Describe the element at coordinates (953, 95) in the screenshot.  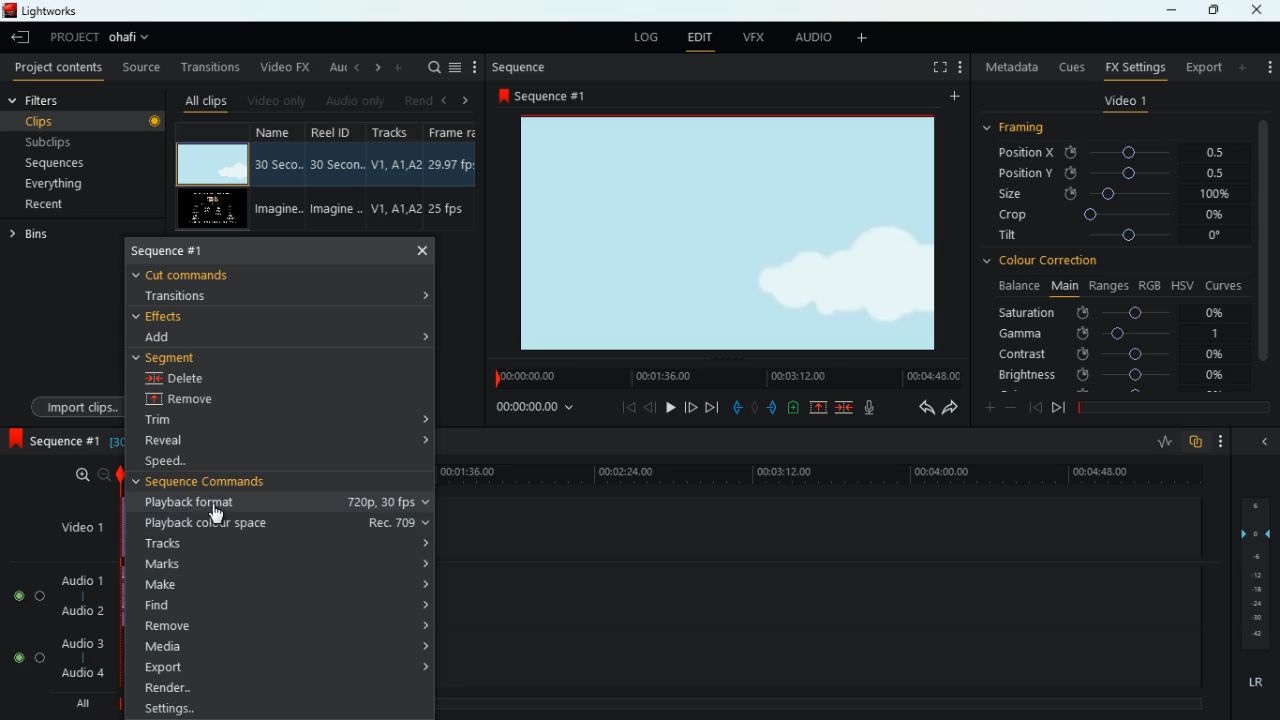
I see `add` at that location.